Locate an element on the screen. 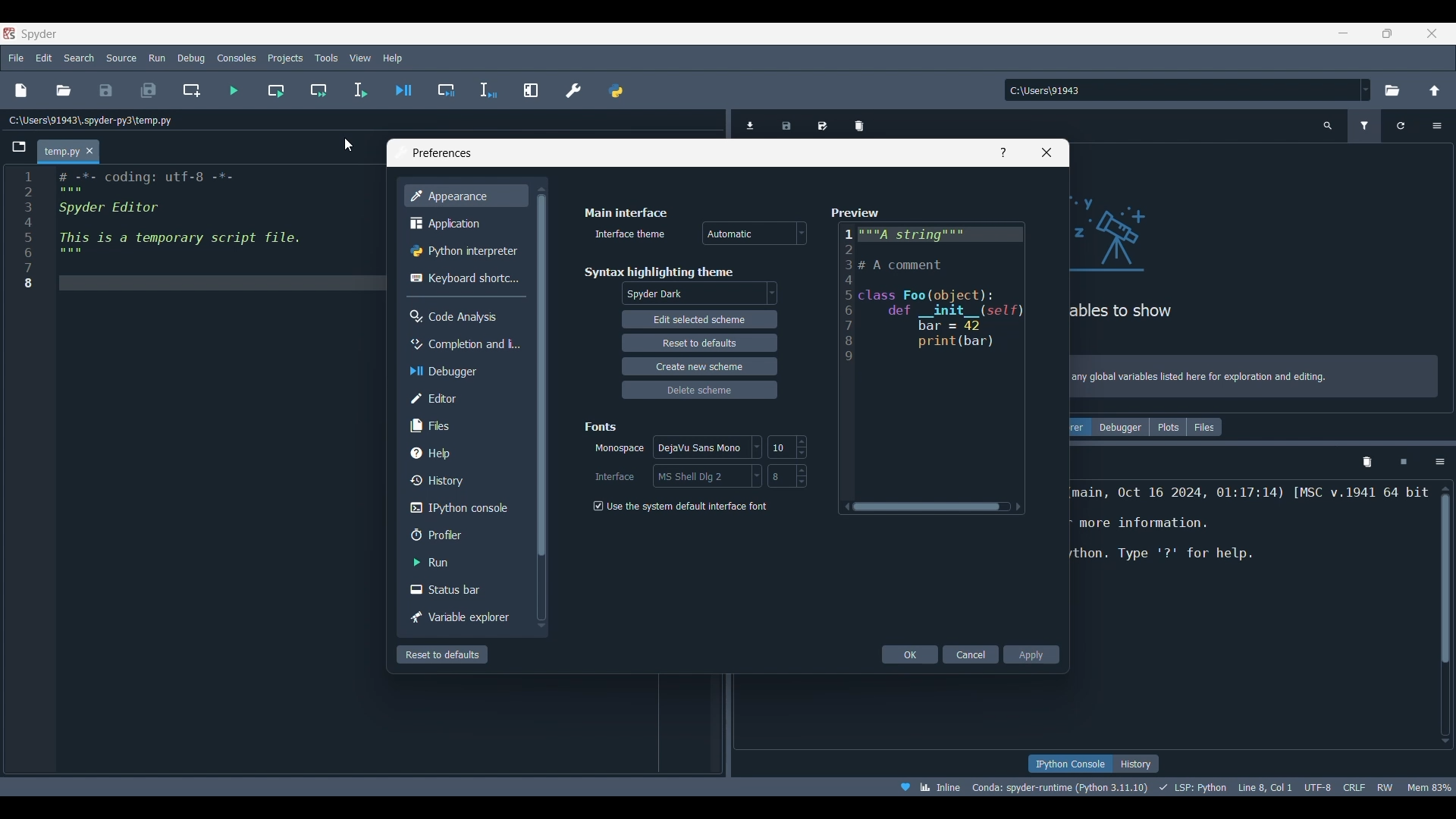  Search menu is located at coordinates (79, 58).